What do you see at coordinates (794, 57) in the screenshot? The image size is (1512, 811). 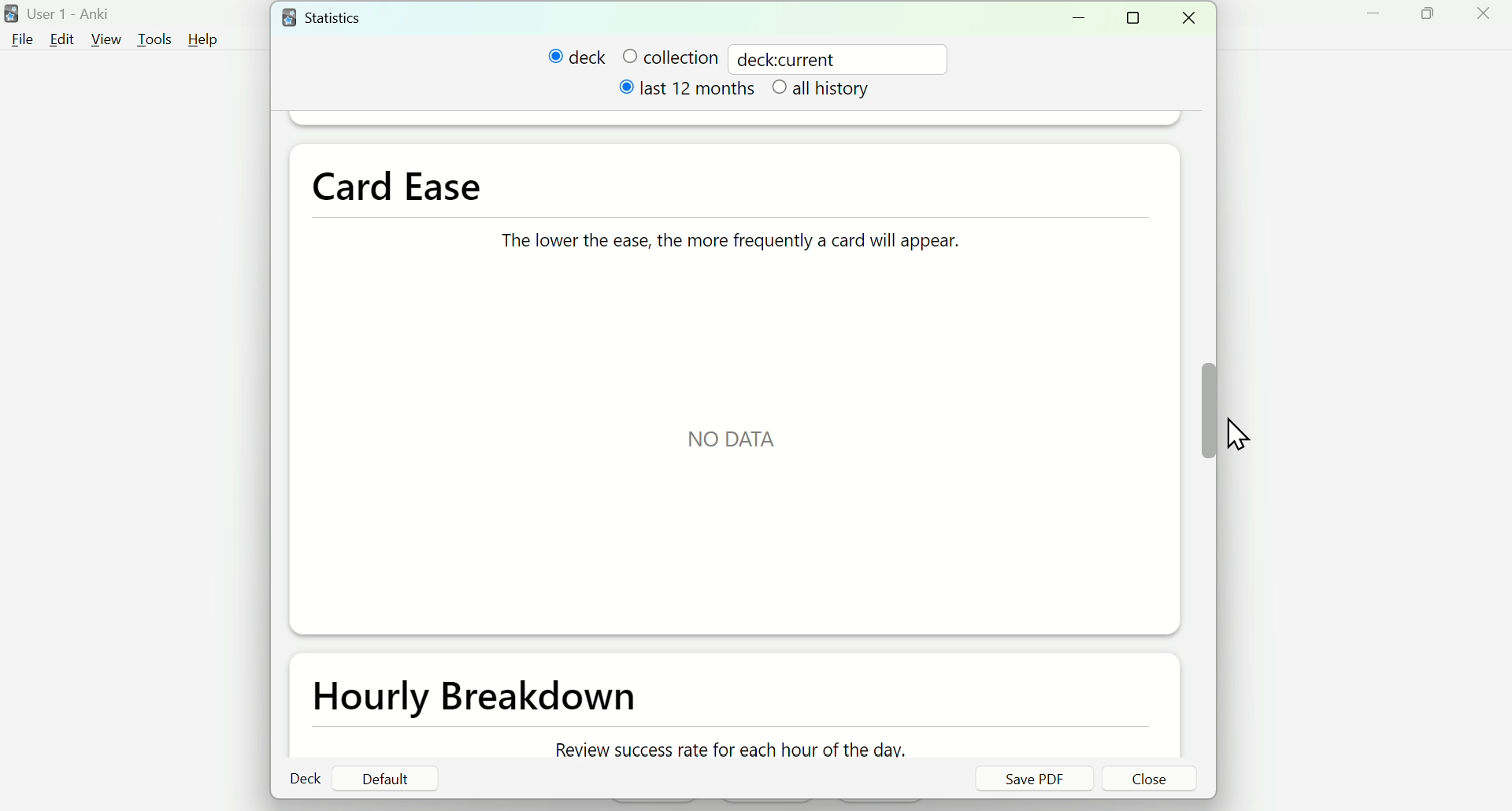 I see `decj"current` at bounding box center [794, 57].